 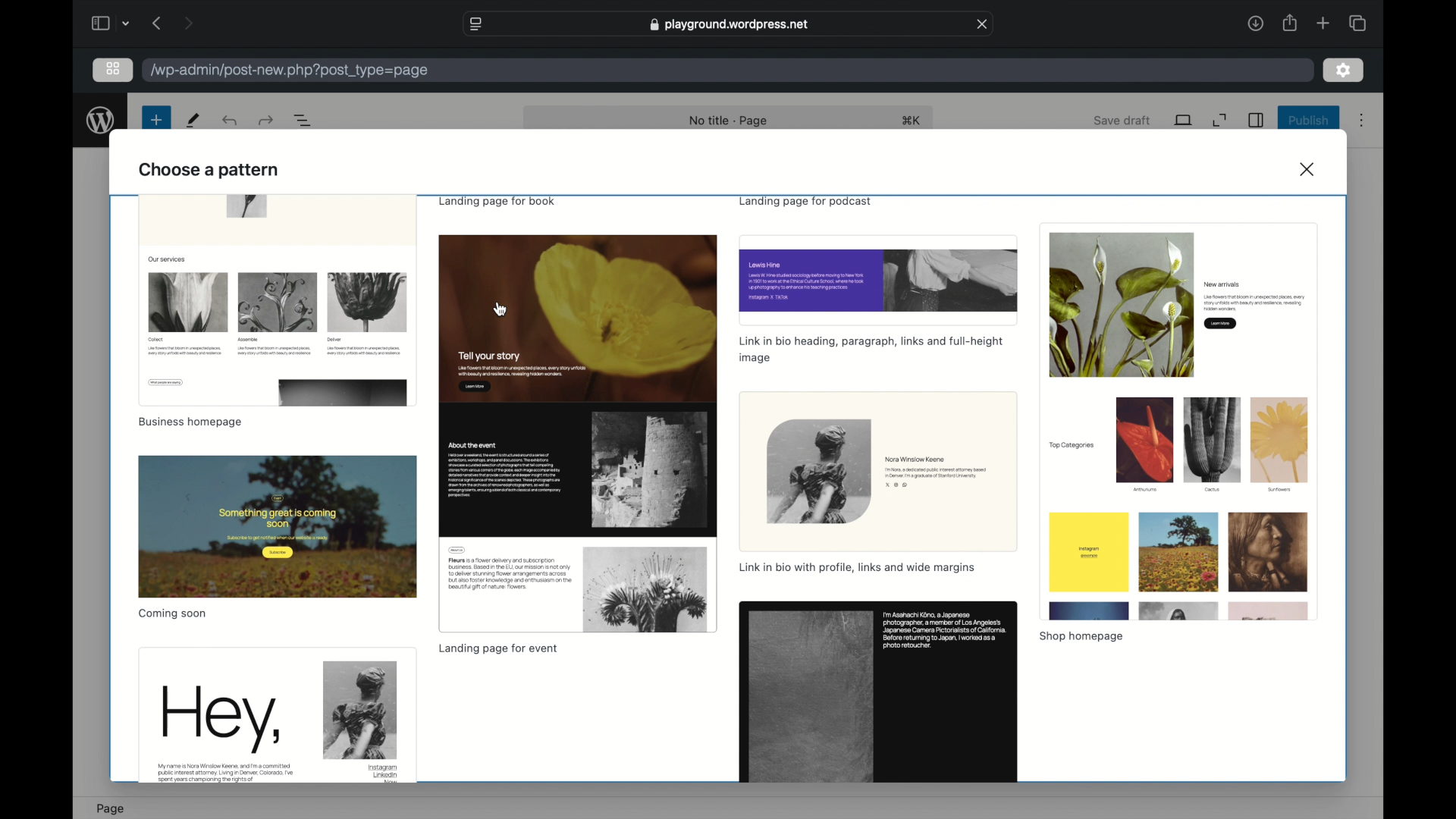 I want to click on grid view, so click(x=113, y=69).